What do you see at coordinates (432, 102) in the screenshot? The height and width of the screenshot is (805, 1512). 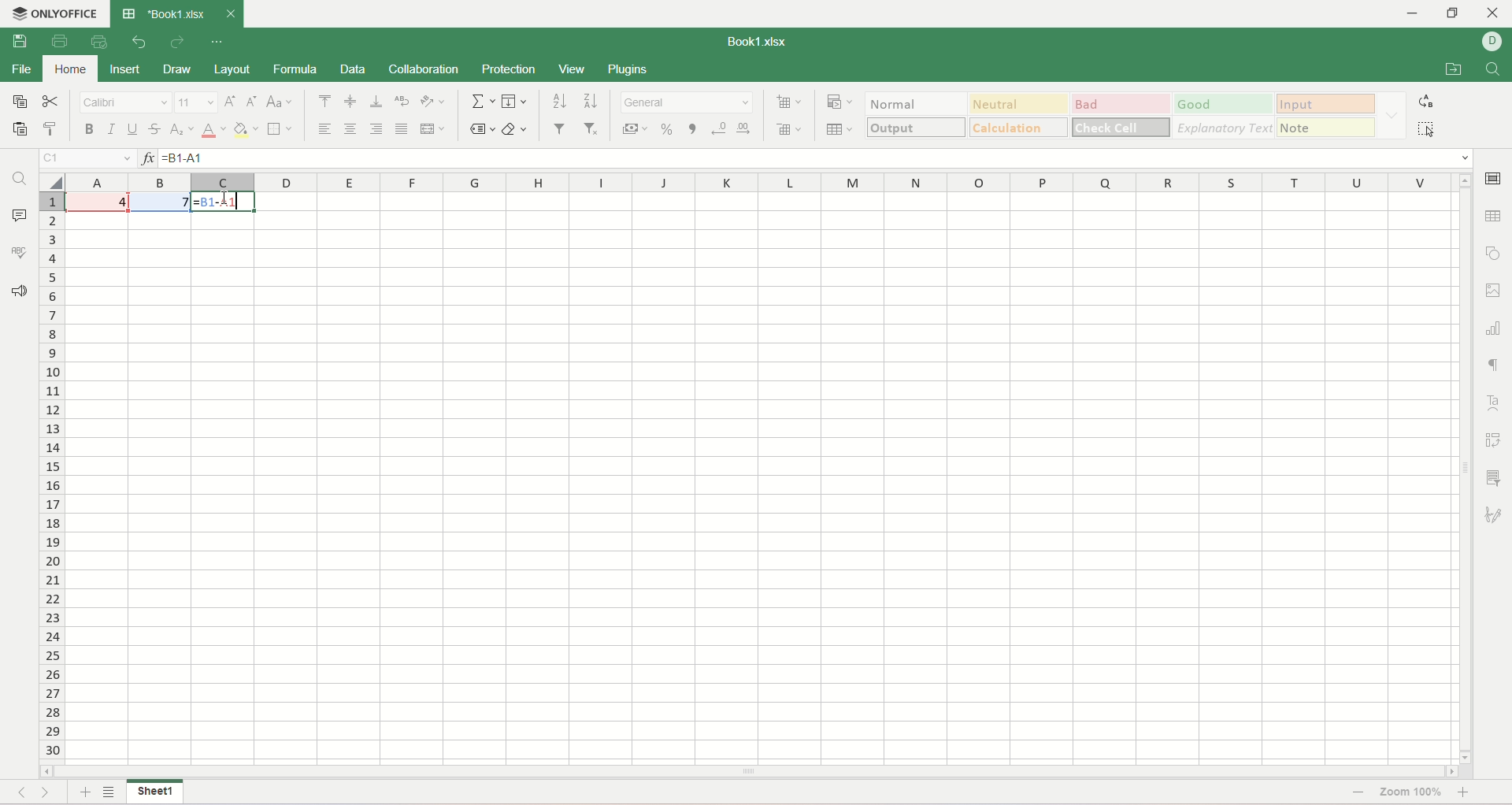 I see `orientation` at bounding box center [432, 102].